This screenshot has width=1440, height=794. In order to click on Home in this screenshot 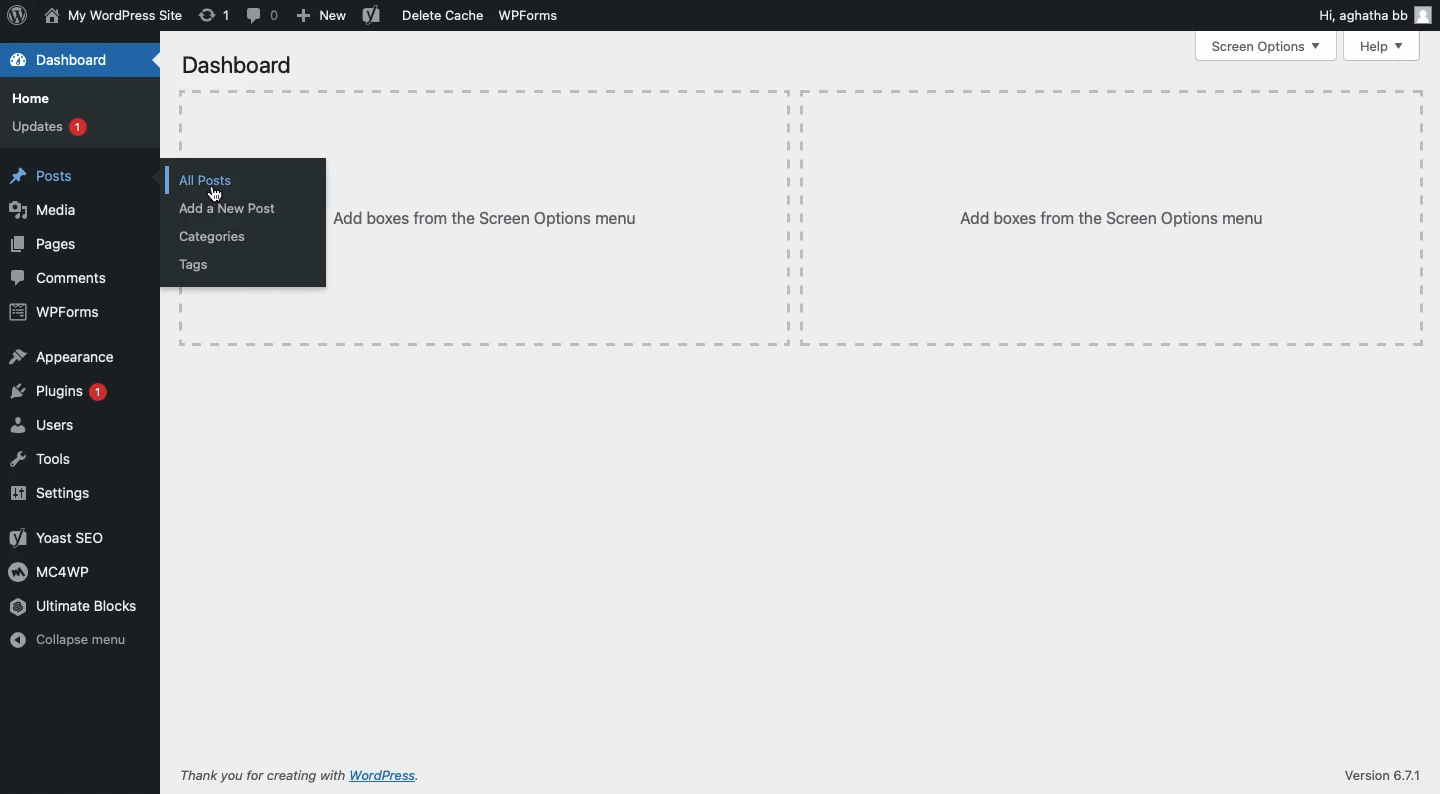, I will do `click(33, 99)`.